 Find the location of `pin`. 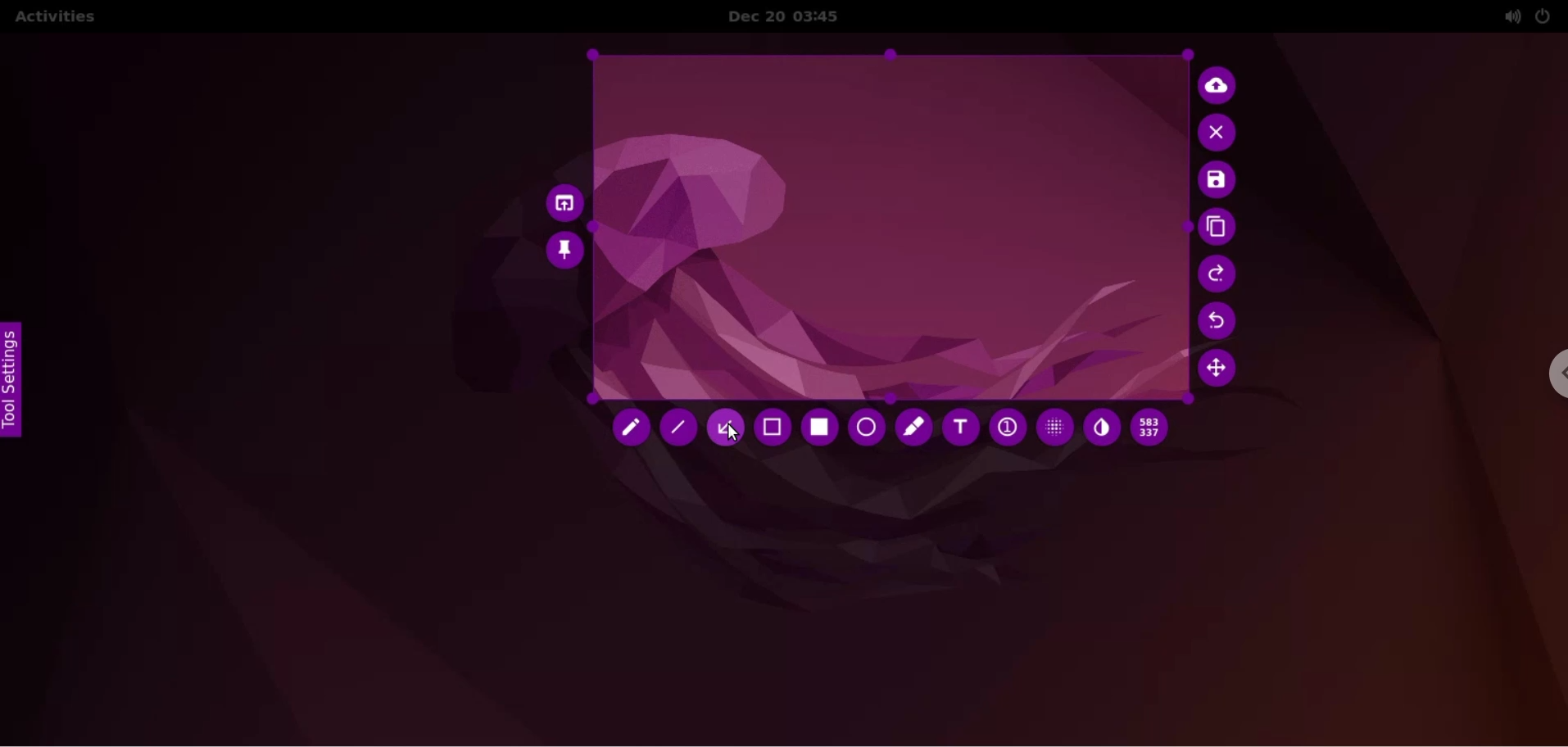

pin is located at coordinates (565, 250).